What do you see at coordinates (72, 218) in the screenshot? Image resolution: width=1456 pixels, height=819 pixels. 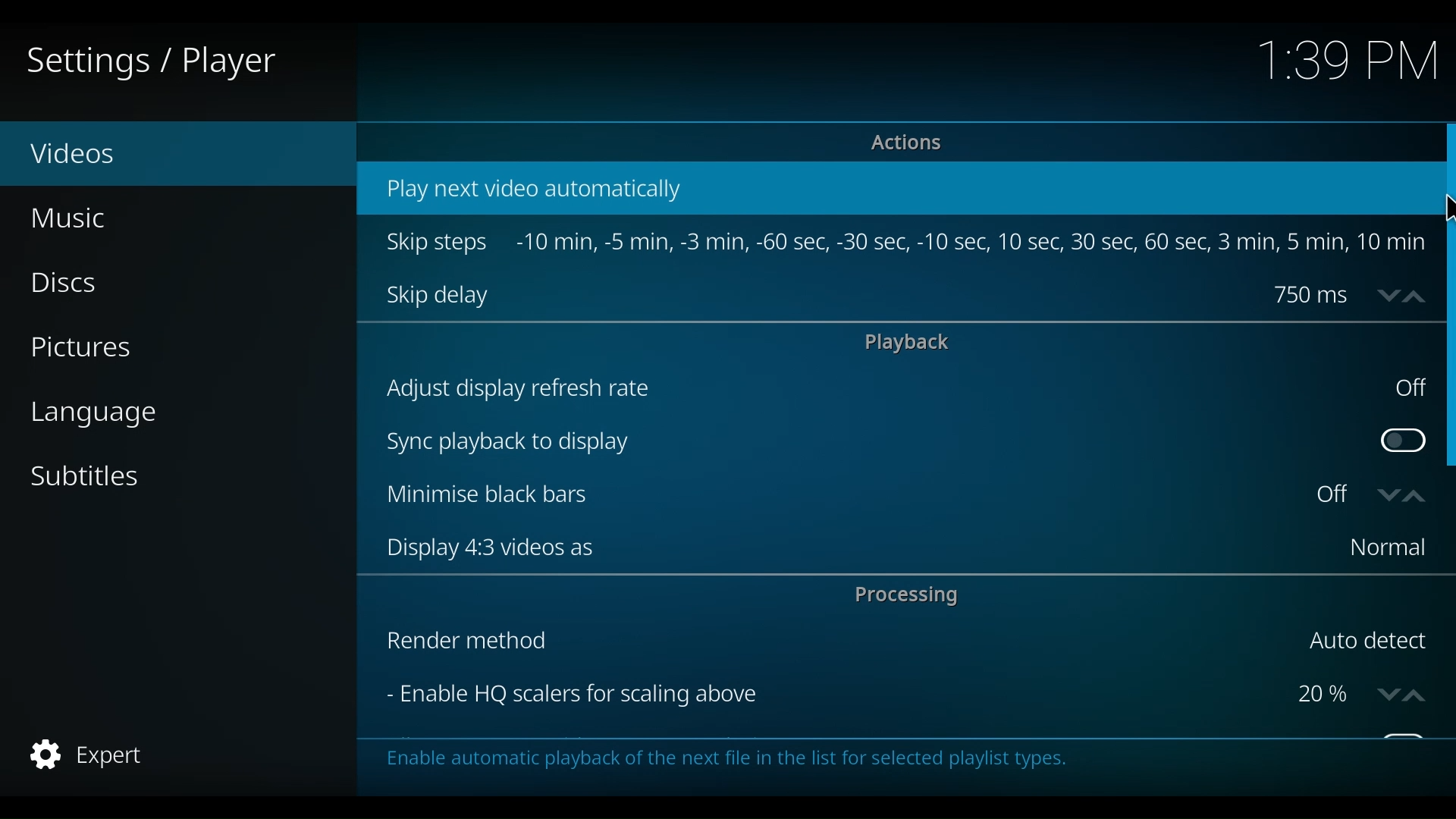 I see `Music` at bounding box center [72, 218].